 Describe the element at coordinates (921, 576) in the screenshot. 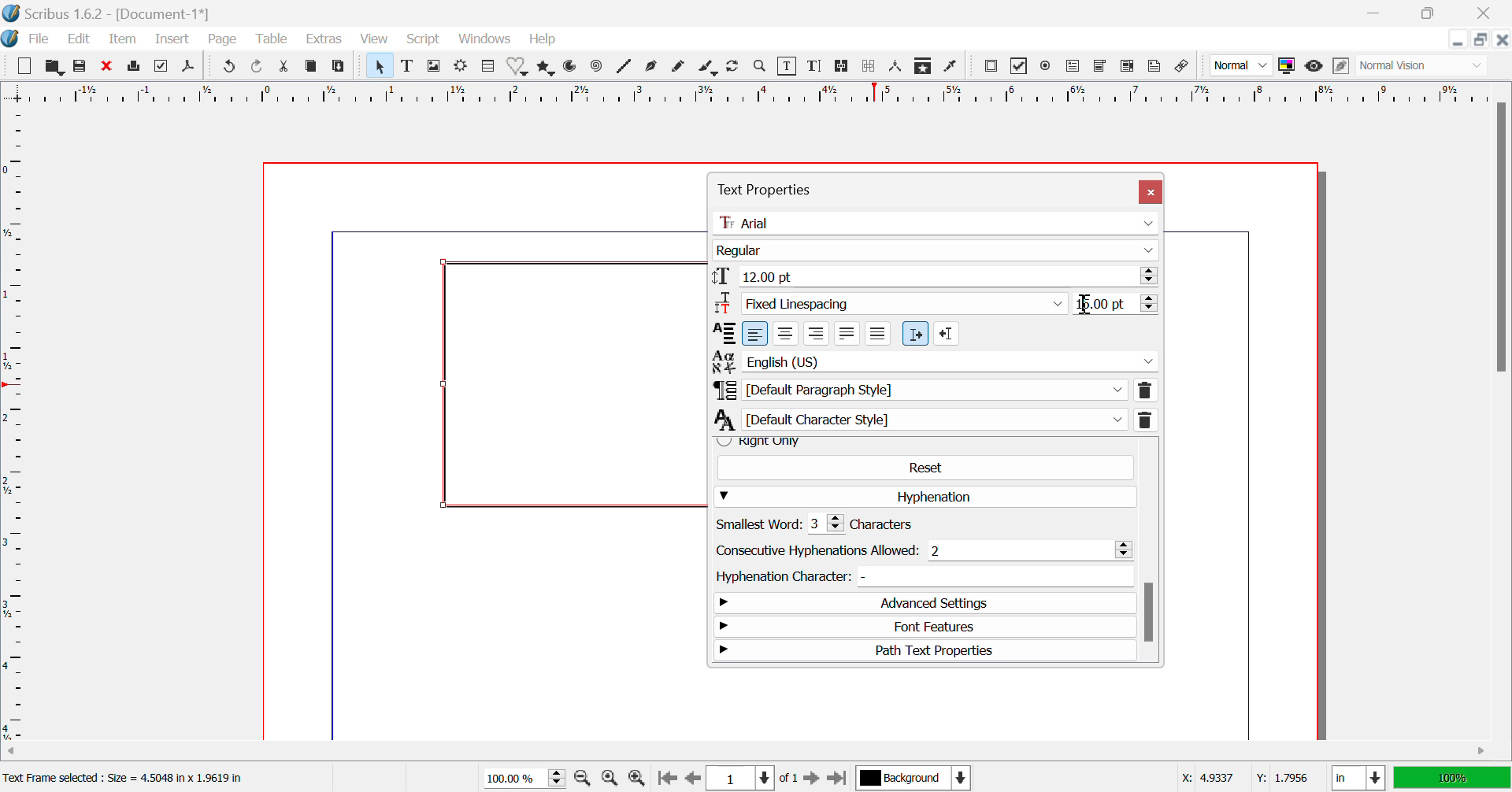

I see `Hyphenation Character` at that location.